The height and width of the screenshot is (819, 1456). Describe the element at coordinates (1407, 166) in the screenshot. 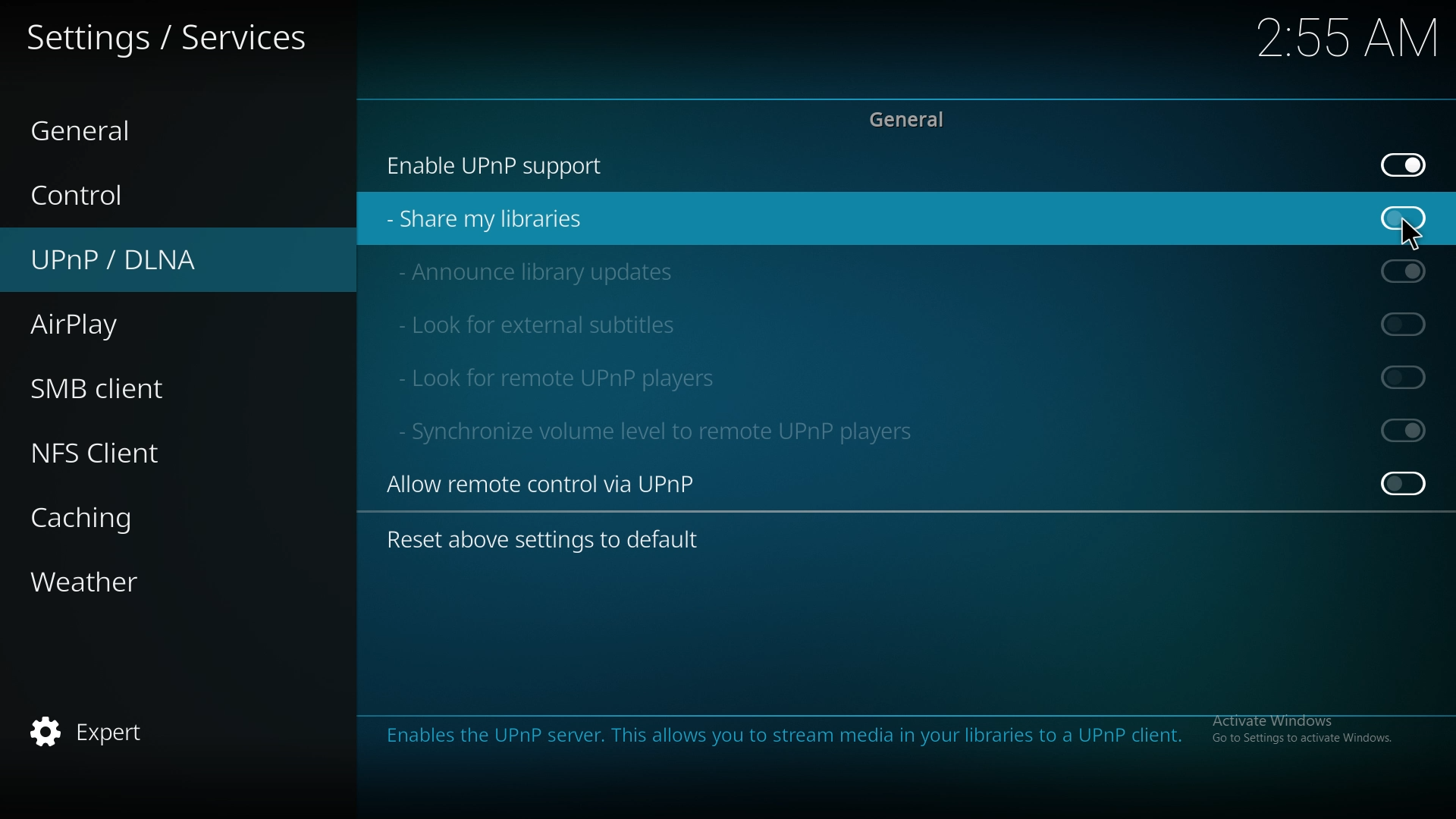

I see `On` at that location.